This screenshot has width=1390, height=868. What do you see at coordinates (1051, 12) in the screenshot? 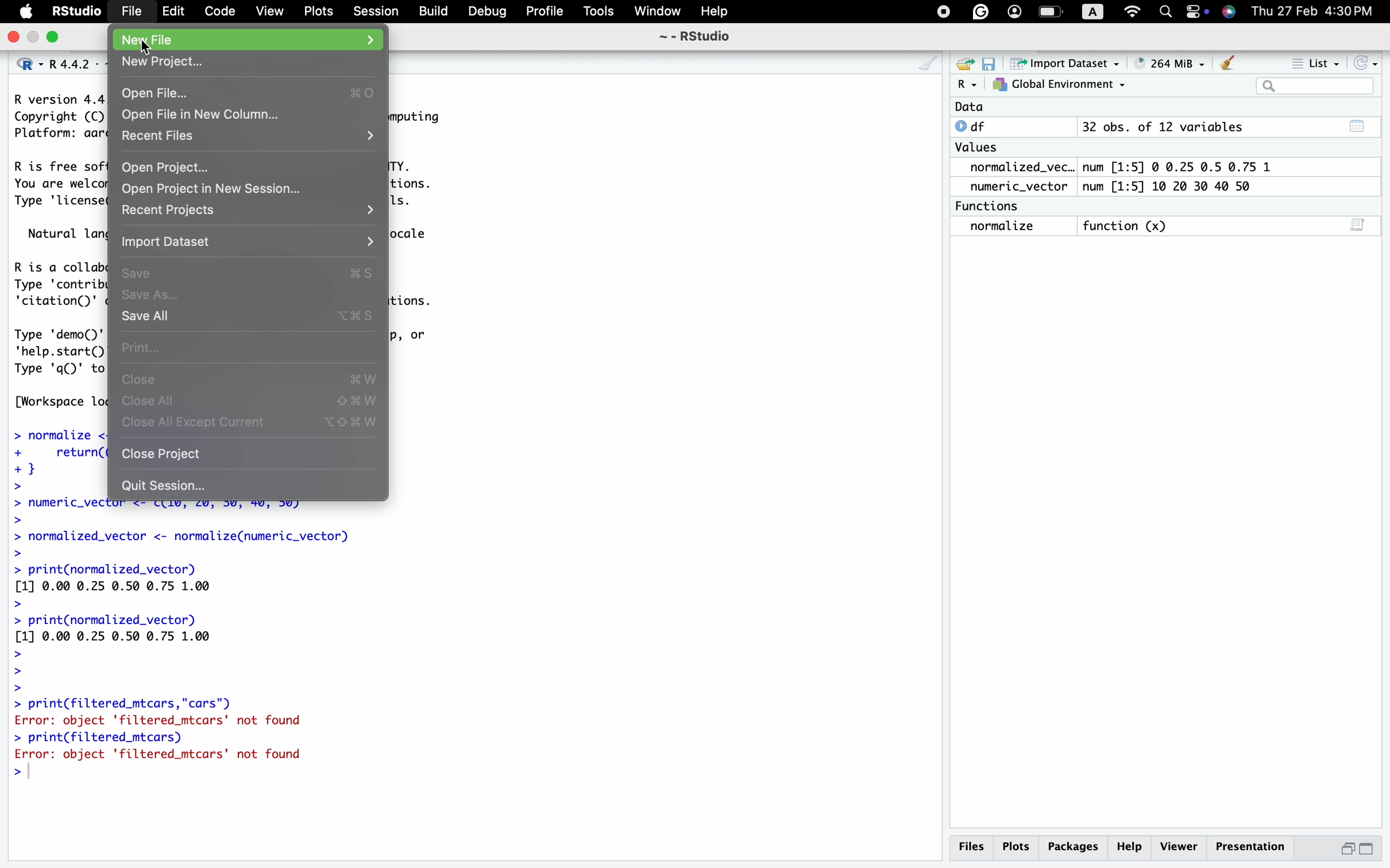
I see `battery` at bounding box center [1051, 12].